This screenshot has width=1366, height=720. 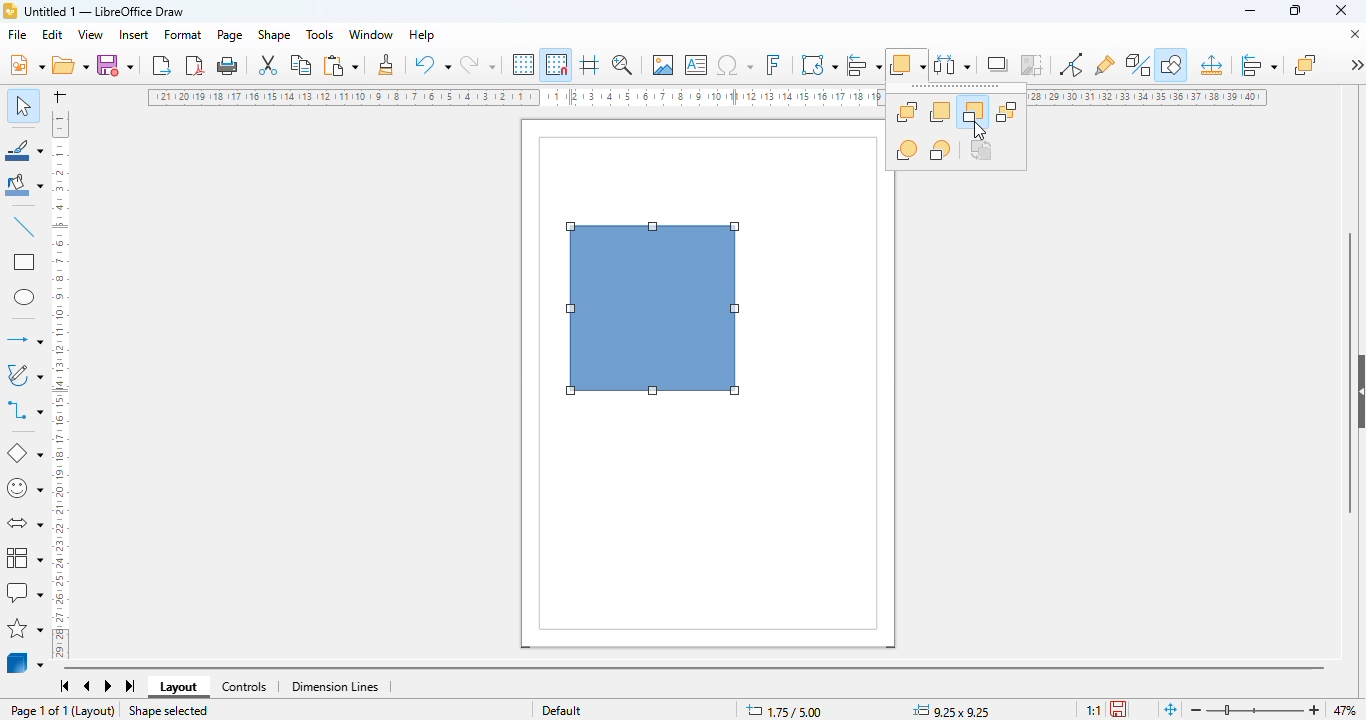 I want to click on show draw functions, so click(x=1171, y=65).